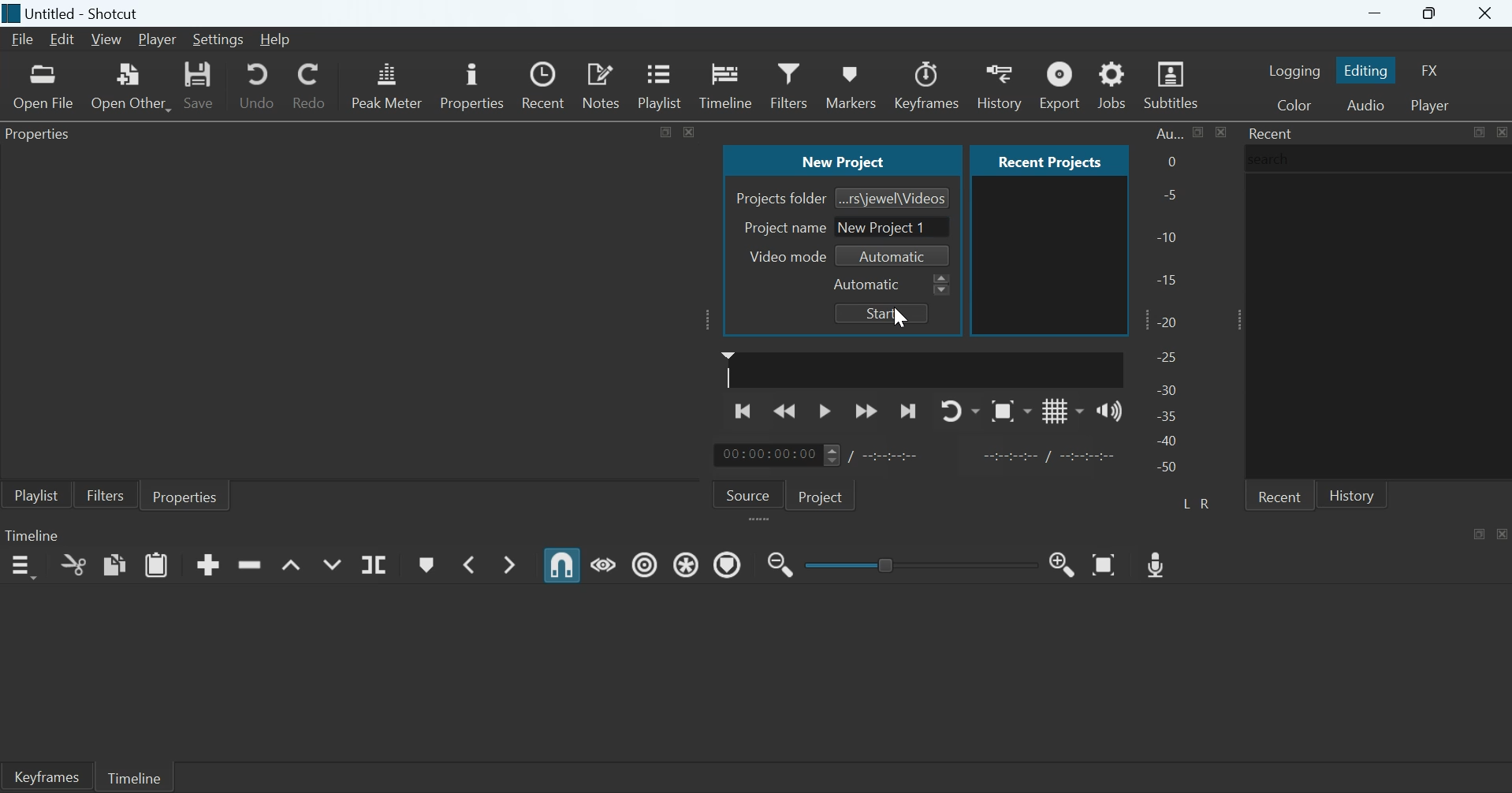 Image resolution: width=1512 pixels, height=793 pixels. I want to click on Timeline, so click(726, 84).